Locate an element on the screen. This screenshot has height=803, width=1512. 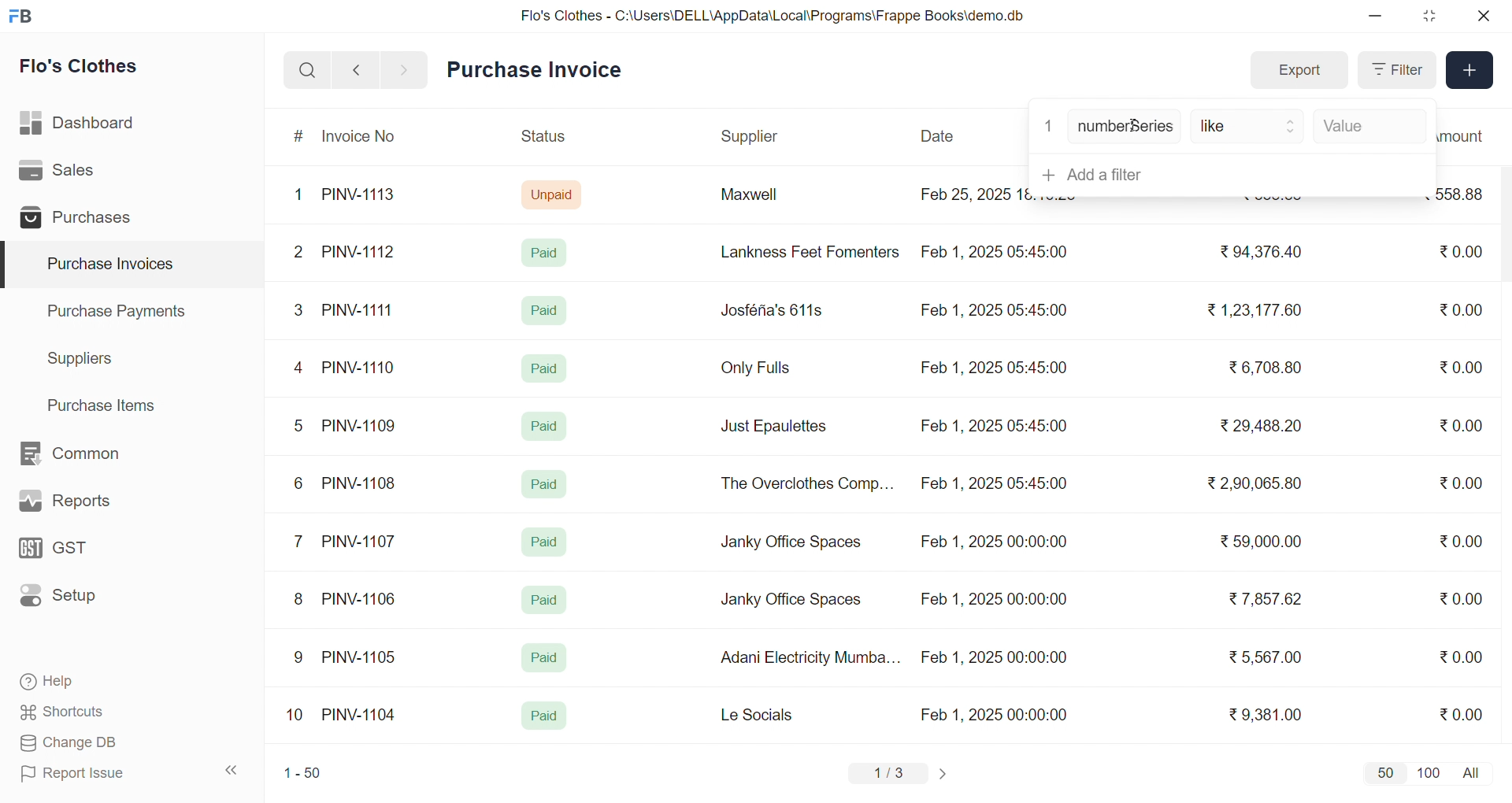
Unpaid is located at coordinates (554, 194).